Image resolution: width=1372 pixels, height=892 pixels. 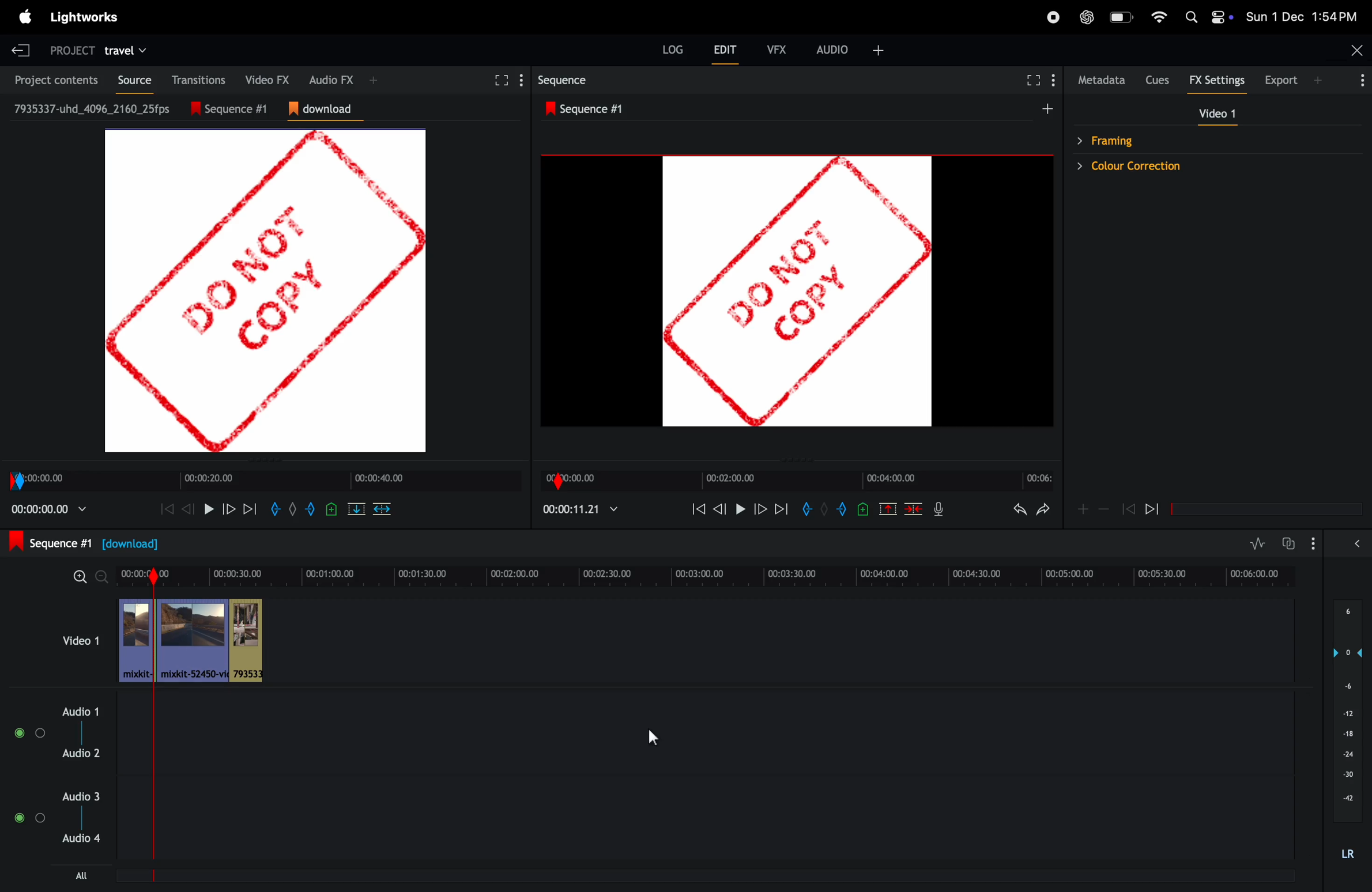 What do you see at coordinates (167, 509) in the screenshot?
I see `Previous frame` at bounding box center [167, 509].